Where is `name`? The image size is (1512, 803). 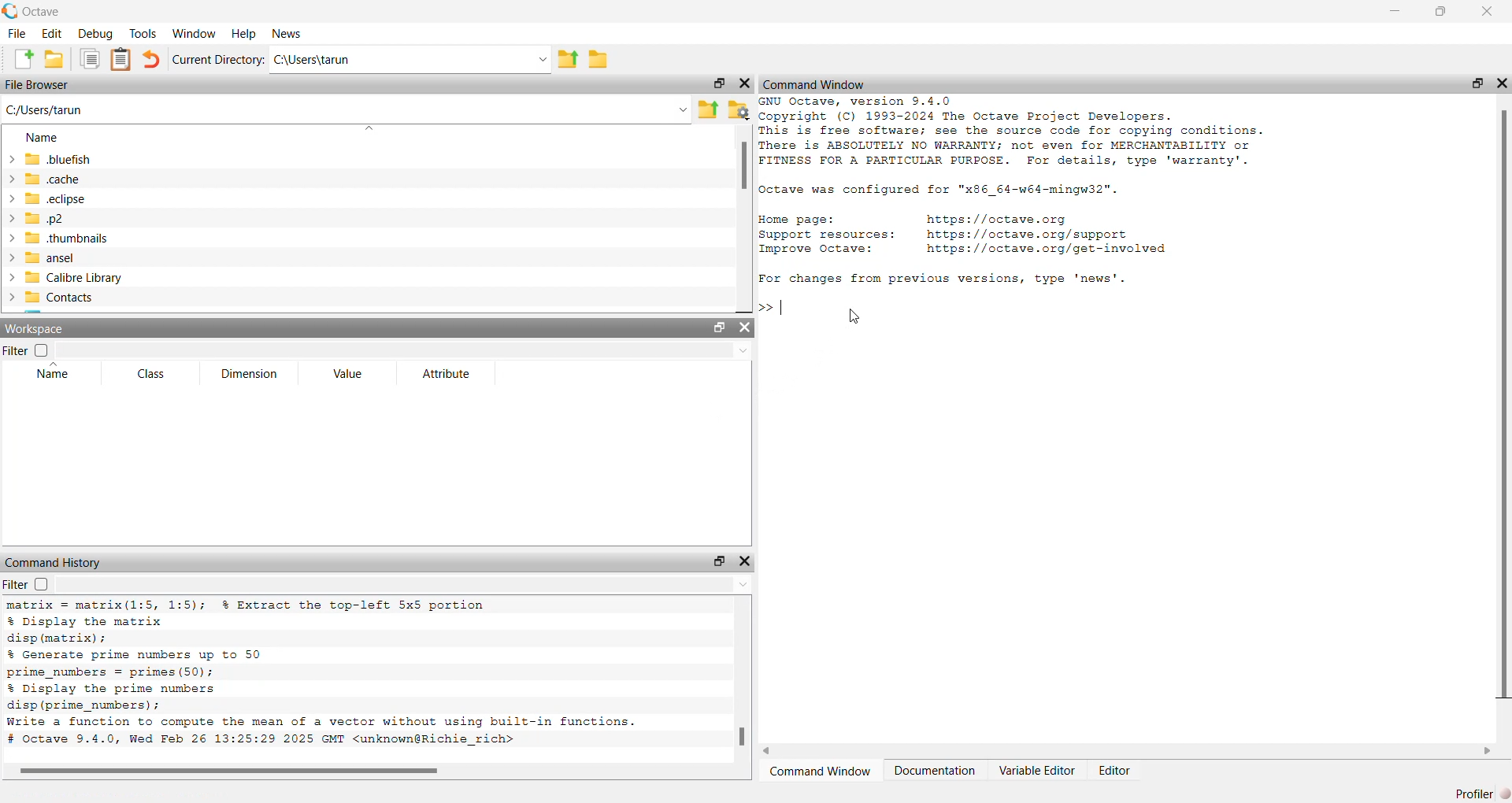
name is located at coordinates (43, 139).